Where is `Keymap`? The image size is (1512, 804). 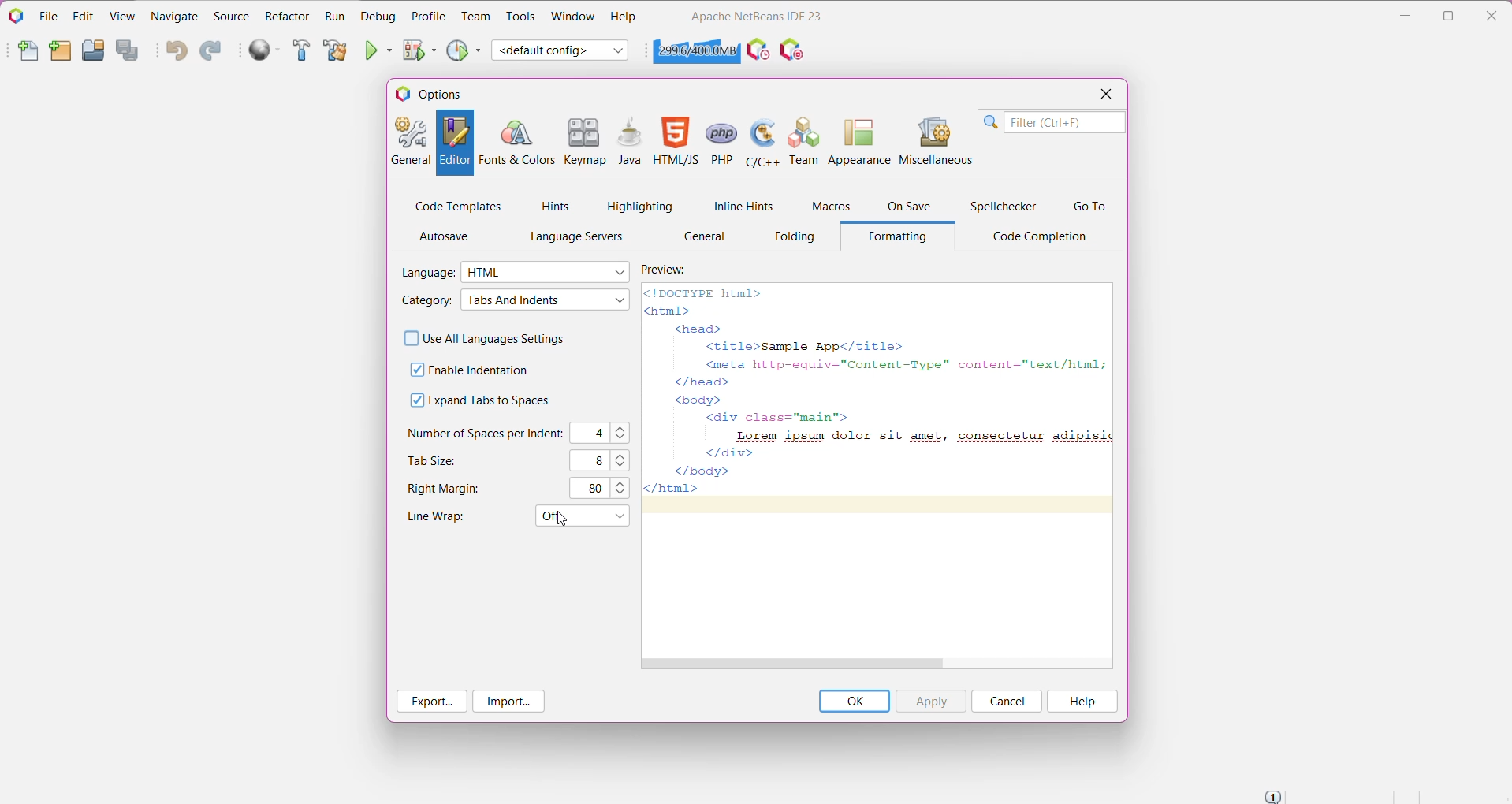
Keymap is located at coordinates (586, 143).